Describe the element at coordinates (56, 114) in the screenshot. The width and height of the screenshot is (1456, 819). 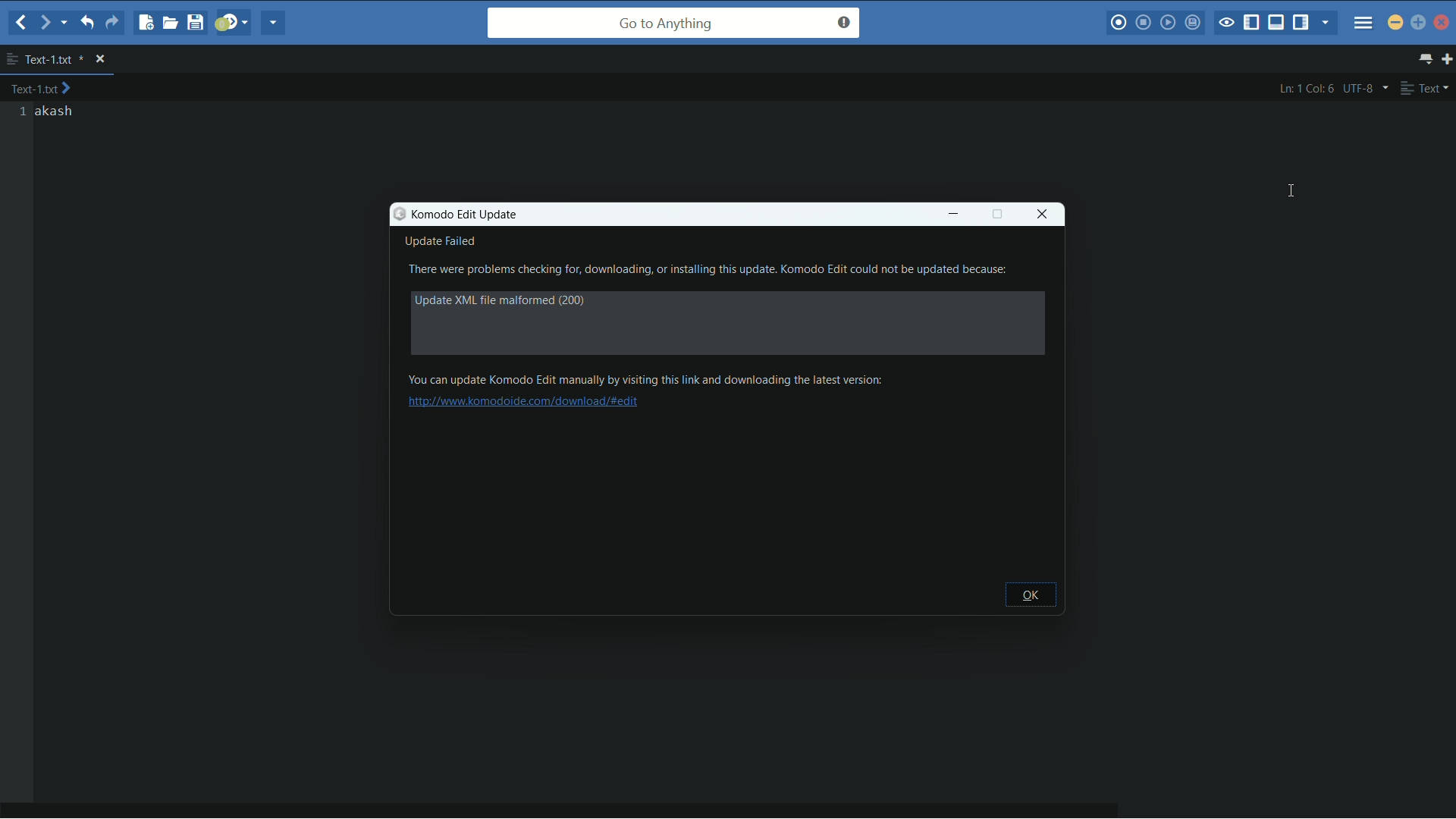
I see `text` at that location.